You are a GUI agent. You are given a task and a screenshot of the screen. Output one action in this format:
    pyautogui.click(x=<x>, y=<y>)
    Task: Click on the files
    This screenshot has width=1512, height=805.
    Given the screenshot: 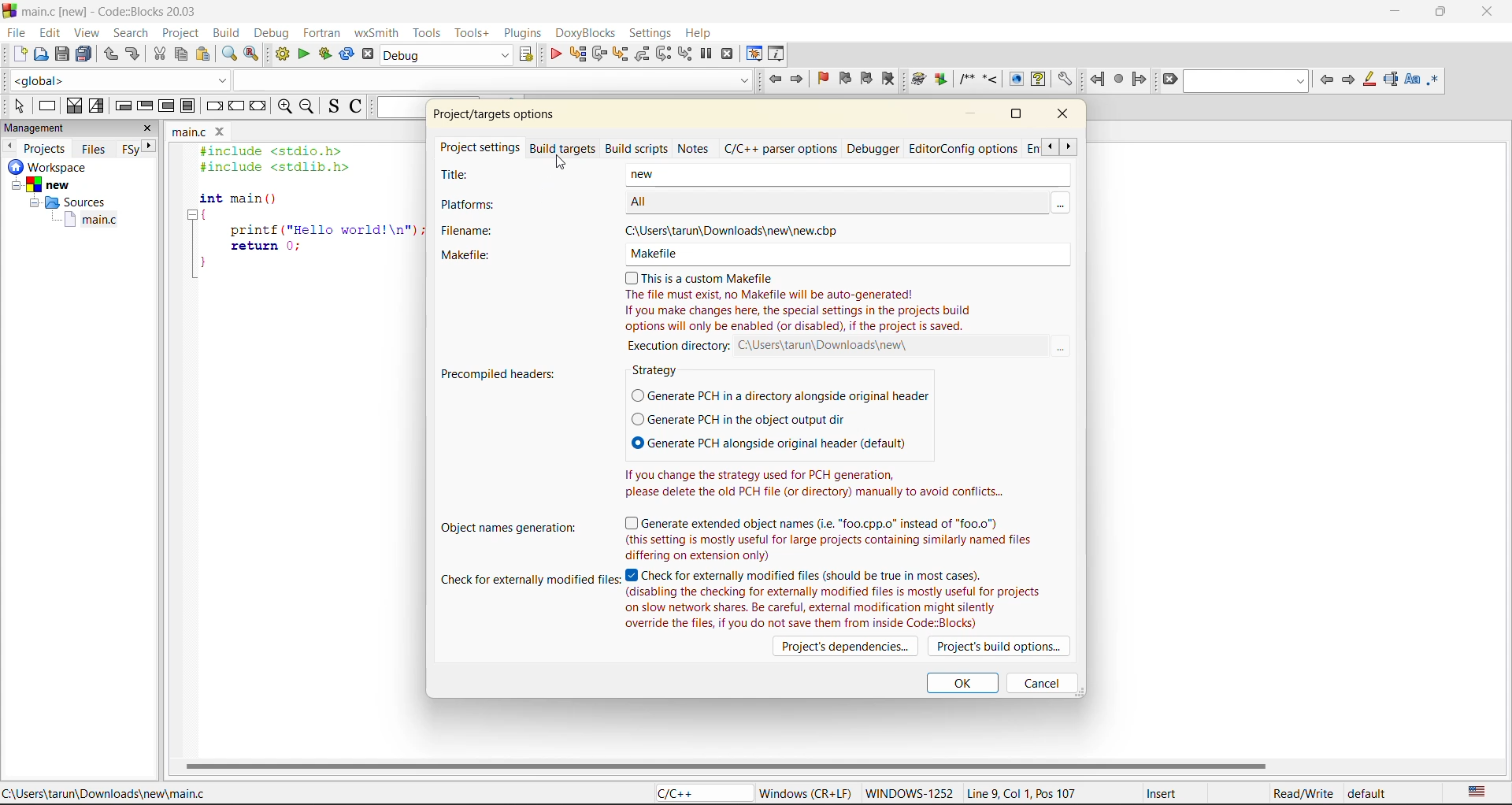 What is the action you would take?
    pyautogui.click(x=94, y=148)
    